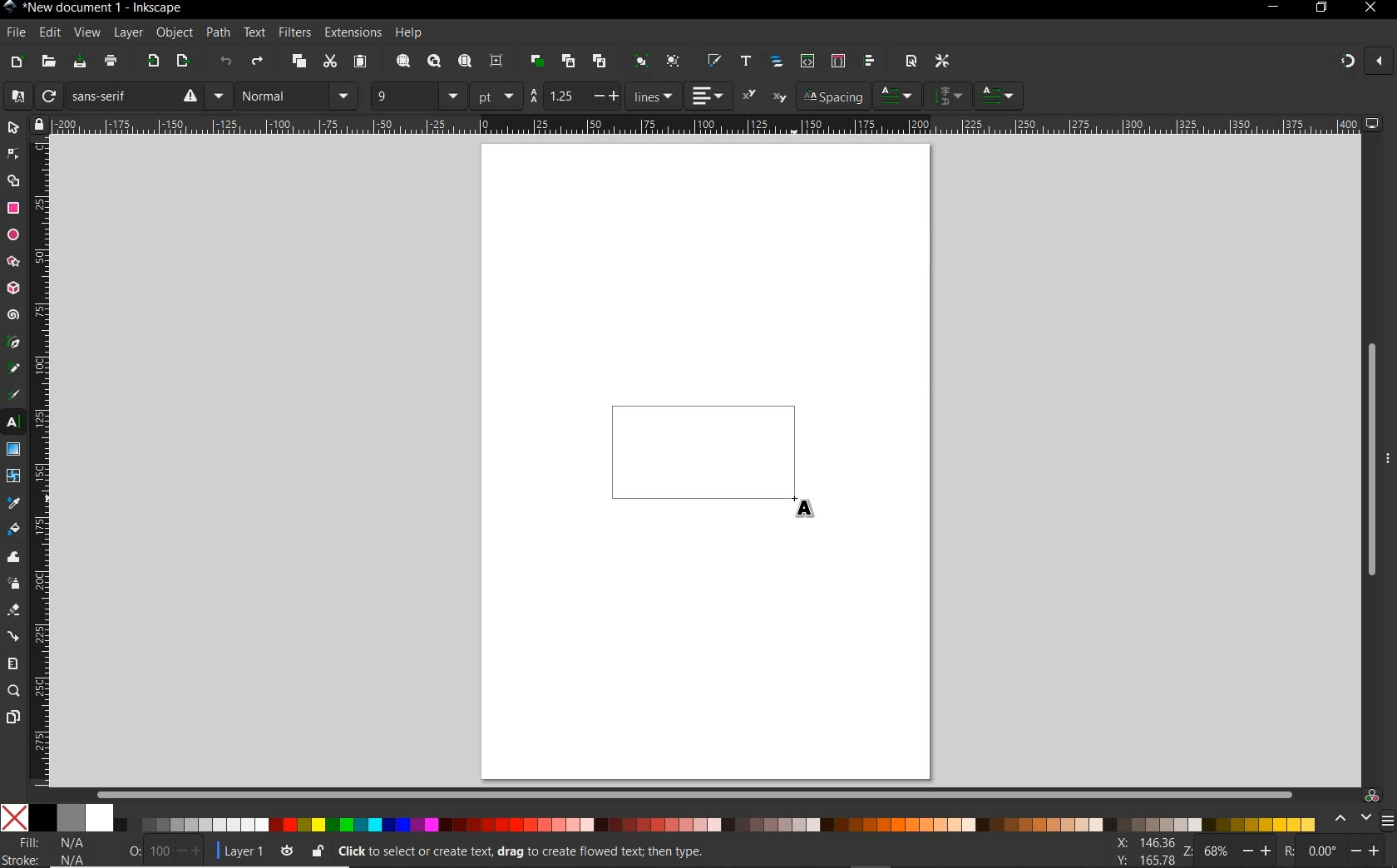 This screenshot has width=1397, height=868. Describe the element at coordinates (1217, 851) in the screenshot. I see `68` at that location.